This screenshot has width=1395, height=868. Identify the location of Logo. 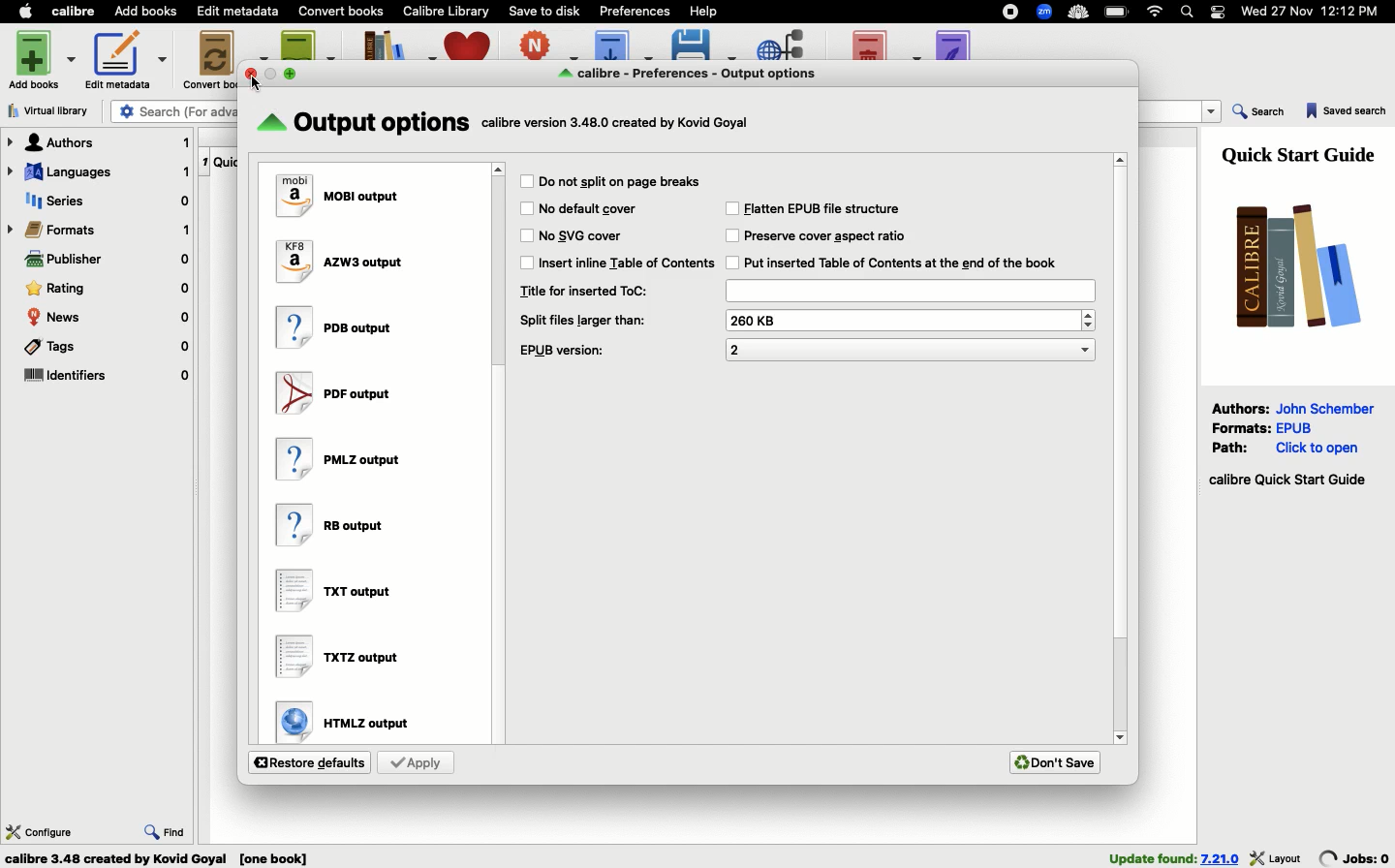
(1291, 264).